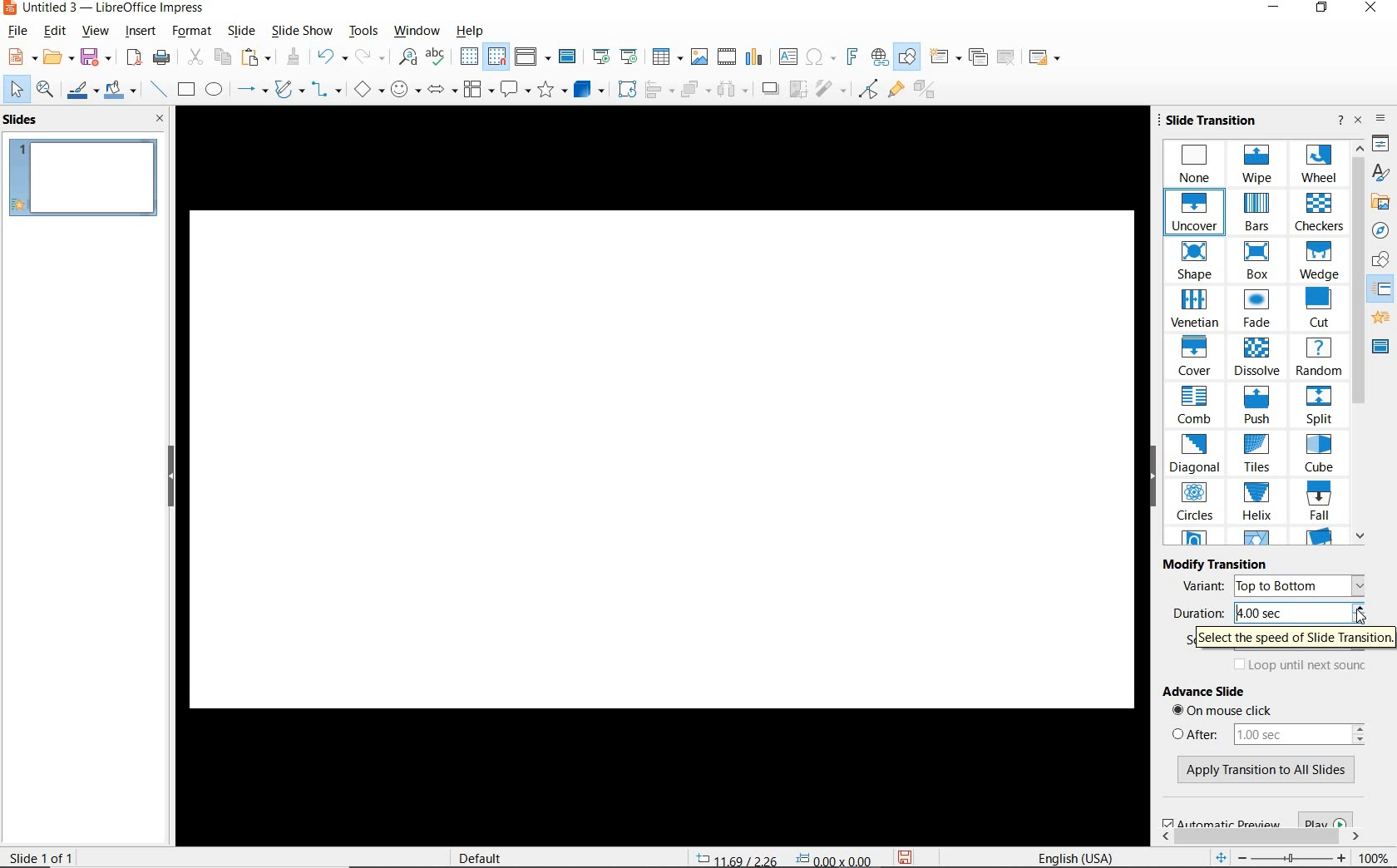  Describe the element at coordinates (590, 89) in the screenshot. I see `3D OBJECTS` at that location.